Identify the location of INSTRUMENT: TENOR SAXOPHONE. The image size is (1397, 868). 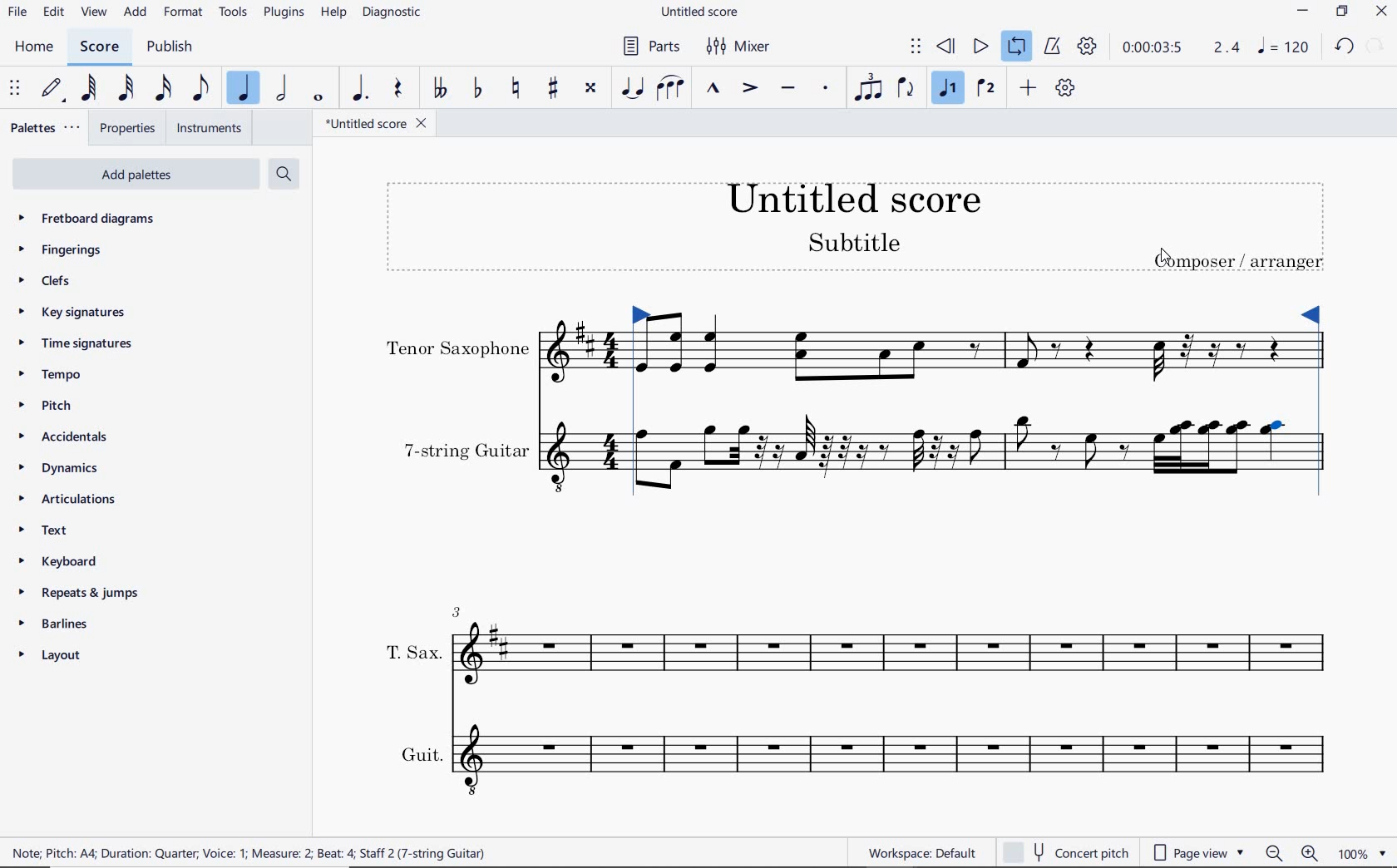
(496, 348).